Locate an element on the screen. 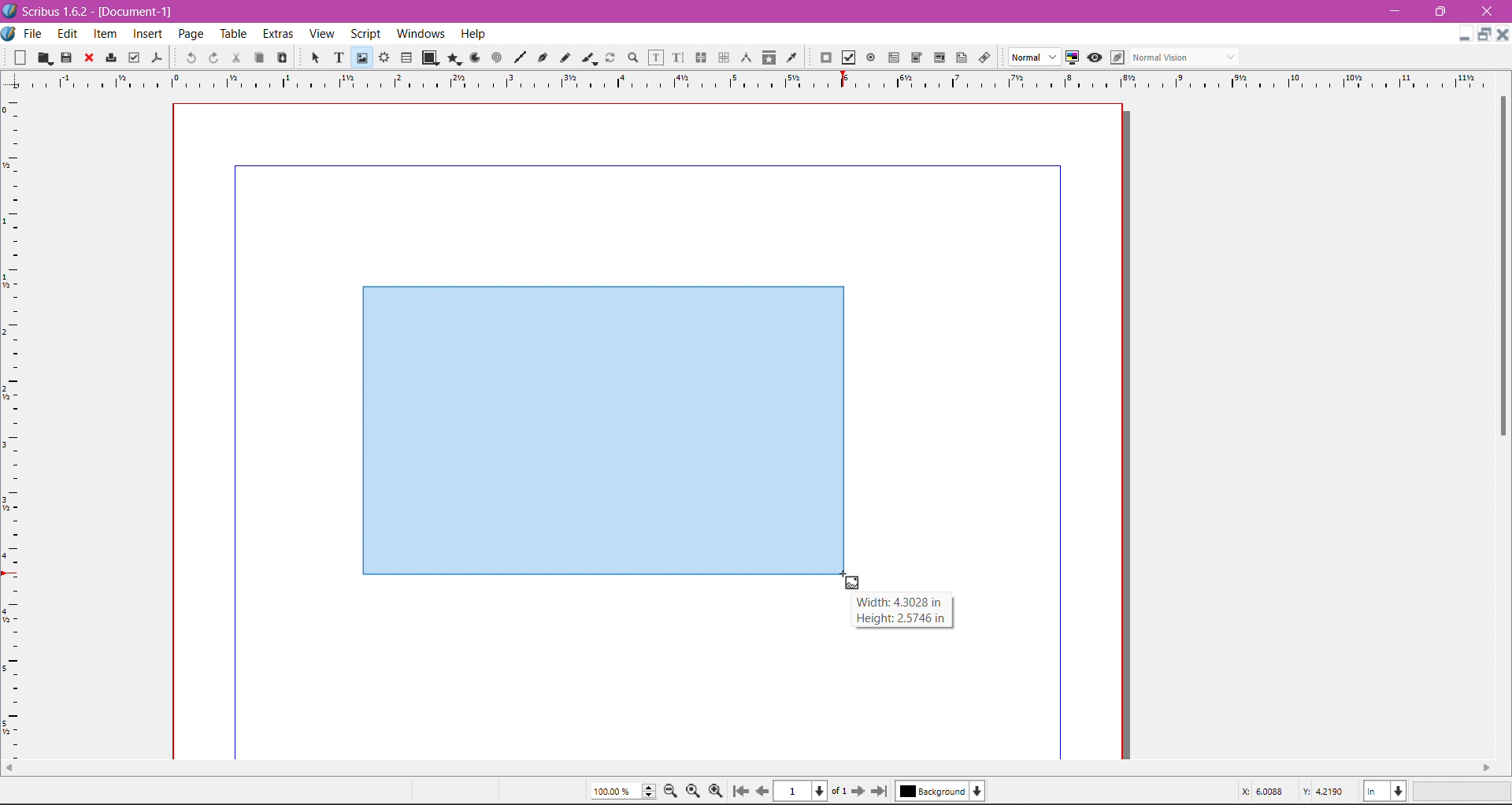 The image size is (1512, 805). Insight is located at coordinates (146, 35).